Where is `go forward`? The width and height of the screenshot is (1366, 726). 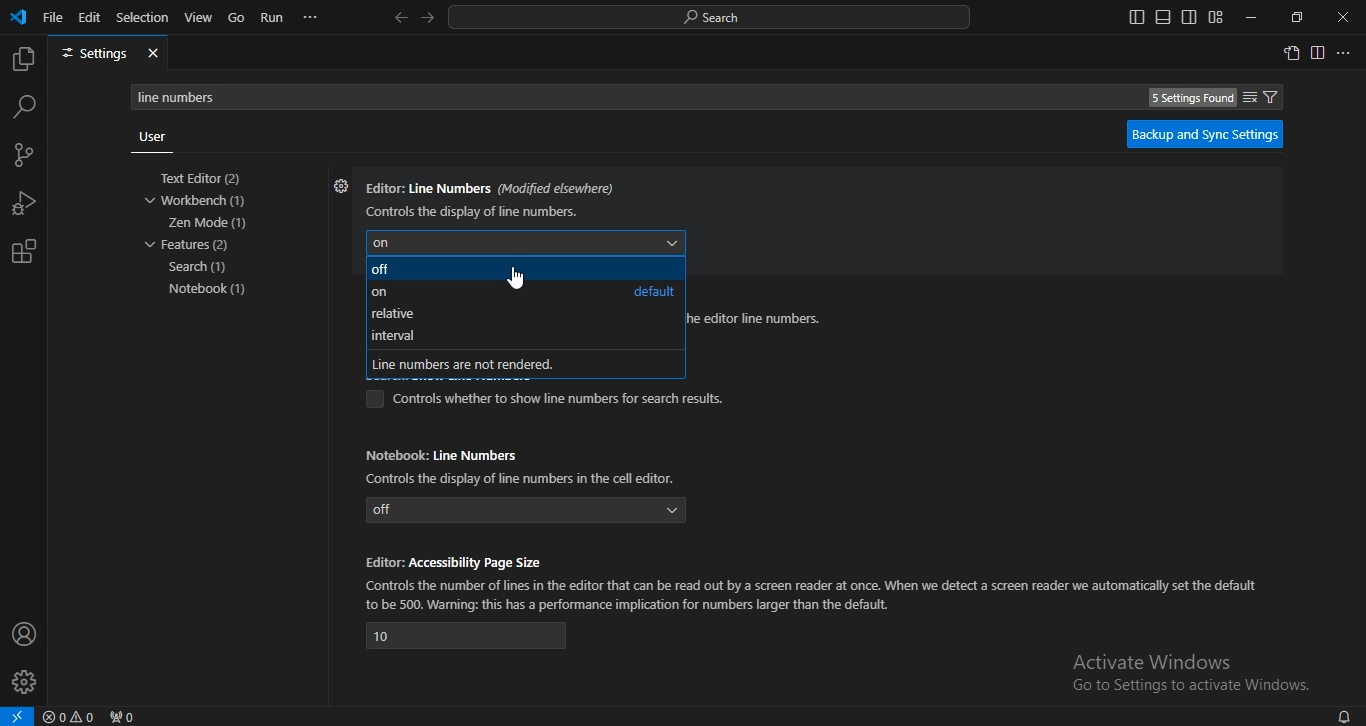 go forward is located at coordinates (429, 16).